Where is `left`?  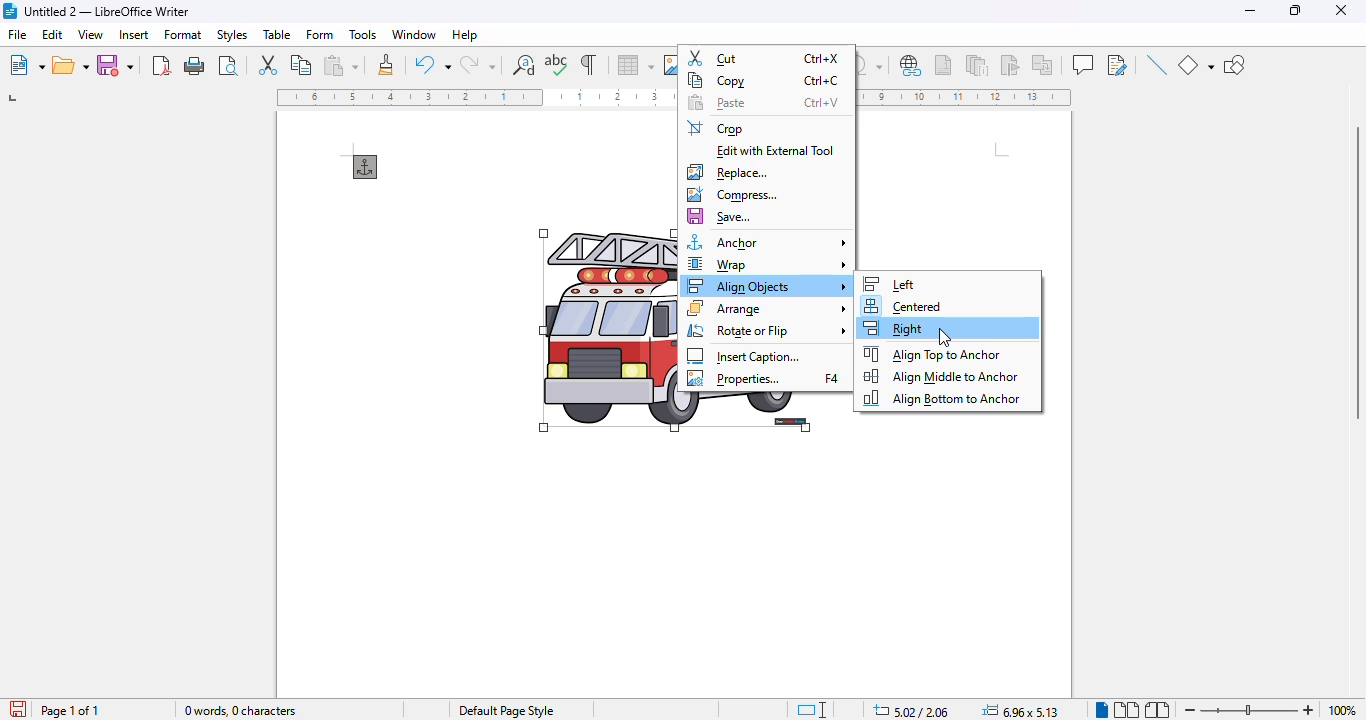 left is located at coordinates (892, 283).